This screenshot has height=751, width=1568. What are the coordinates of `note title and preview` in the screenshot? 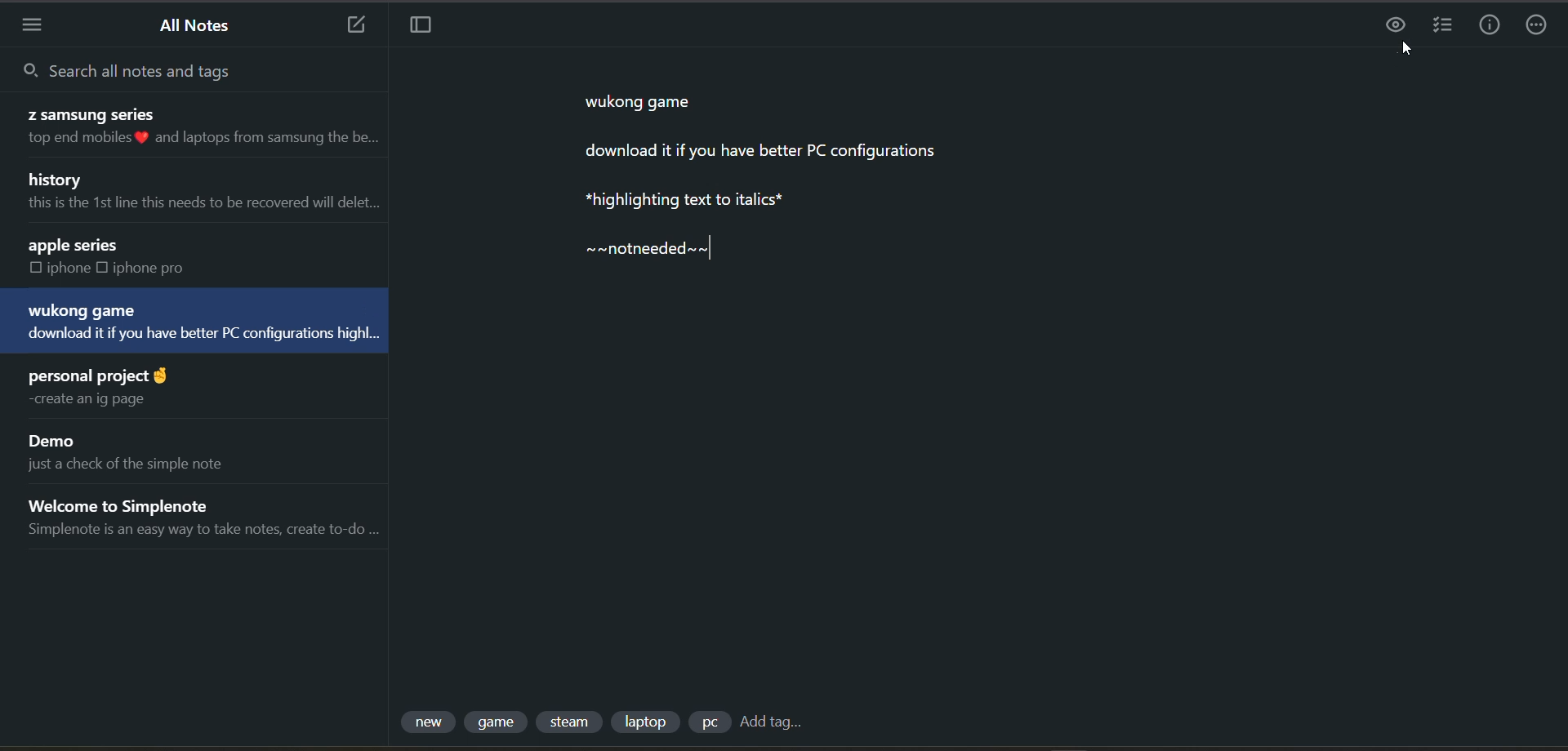 It's located at (198, 321).